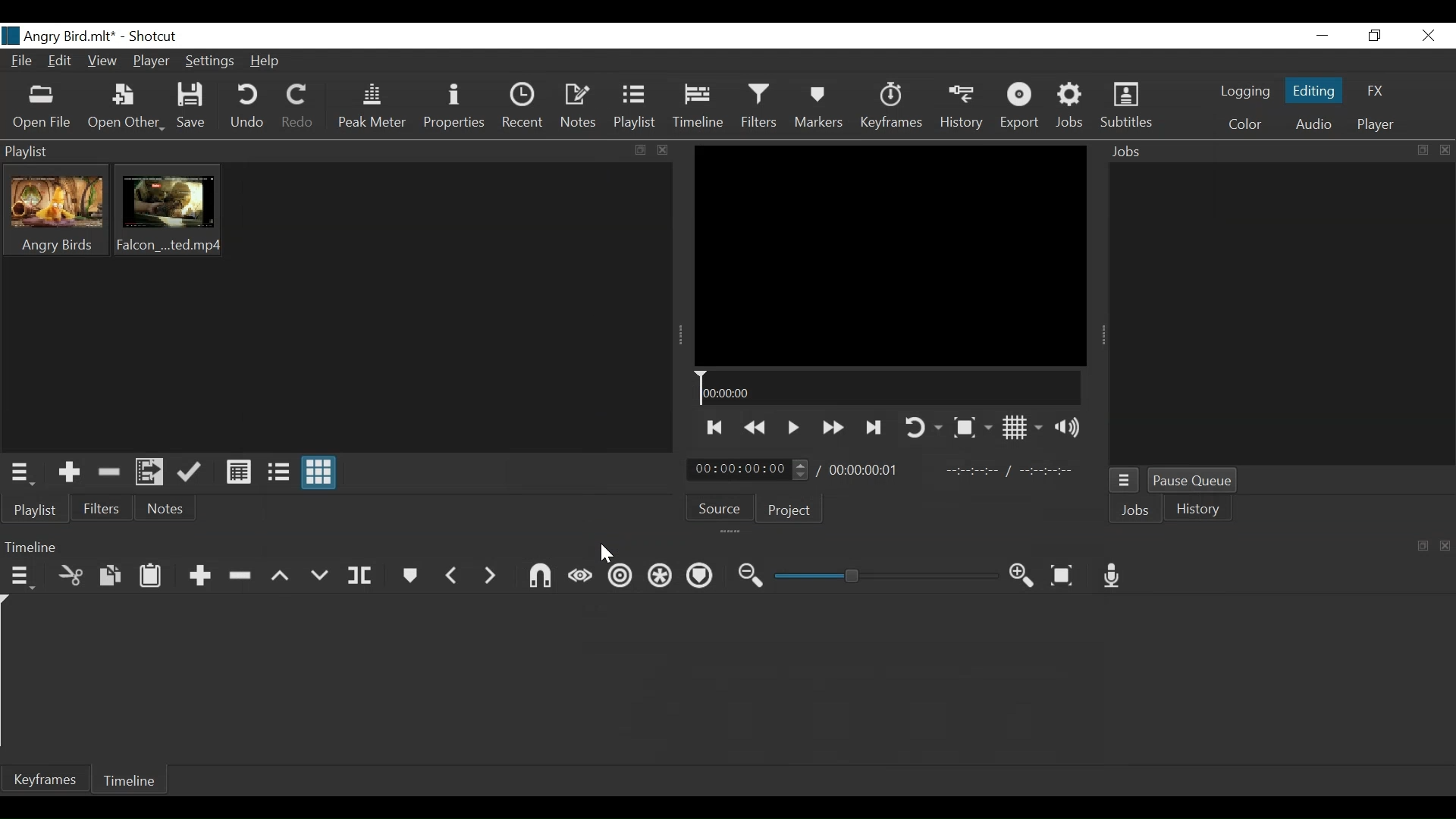 The height and width of the screenshot is (819, 1456). What do you see at coordinates (247, 108) in the screenshot?
I see `Undo` at bounding box center [247, 108].